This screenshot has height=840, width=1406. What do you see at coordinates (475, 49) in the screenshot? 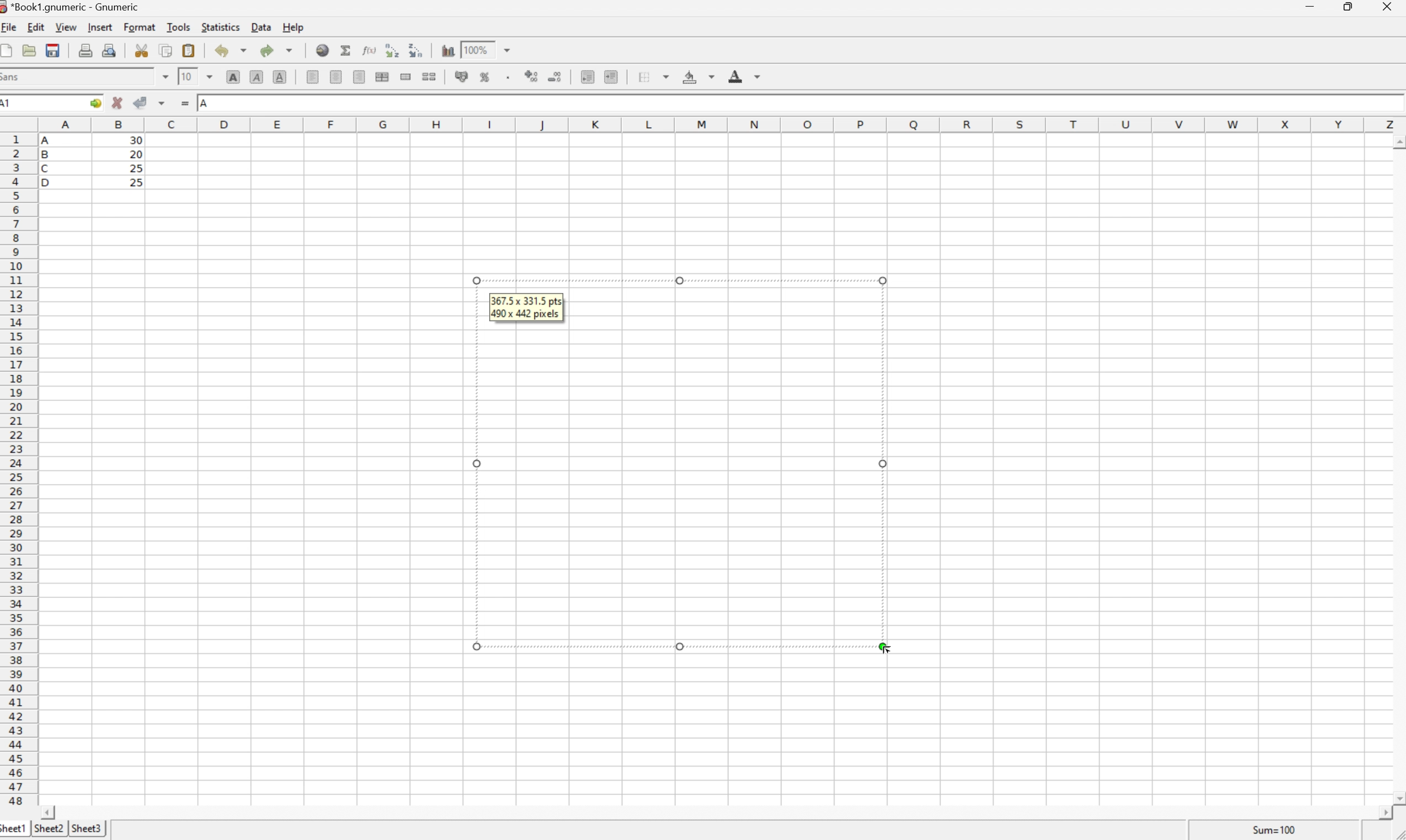
I see `100%` at bounding box center [475, 49].